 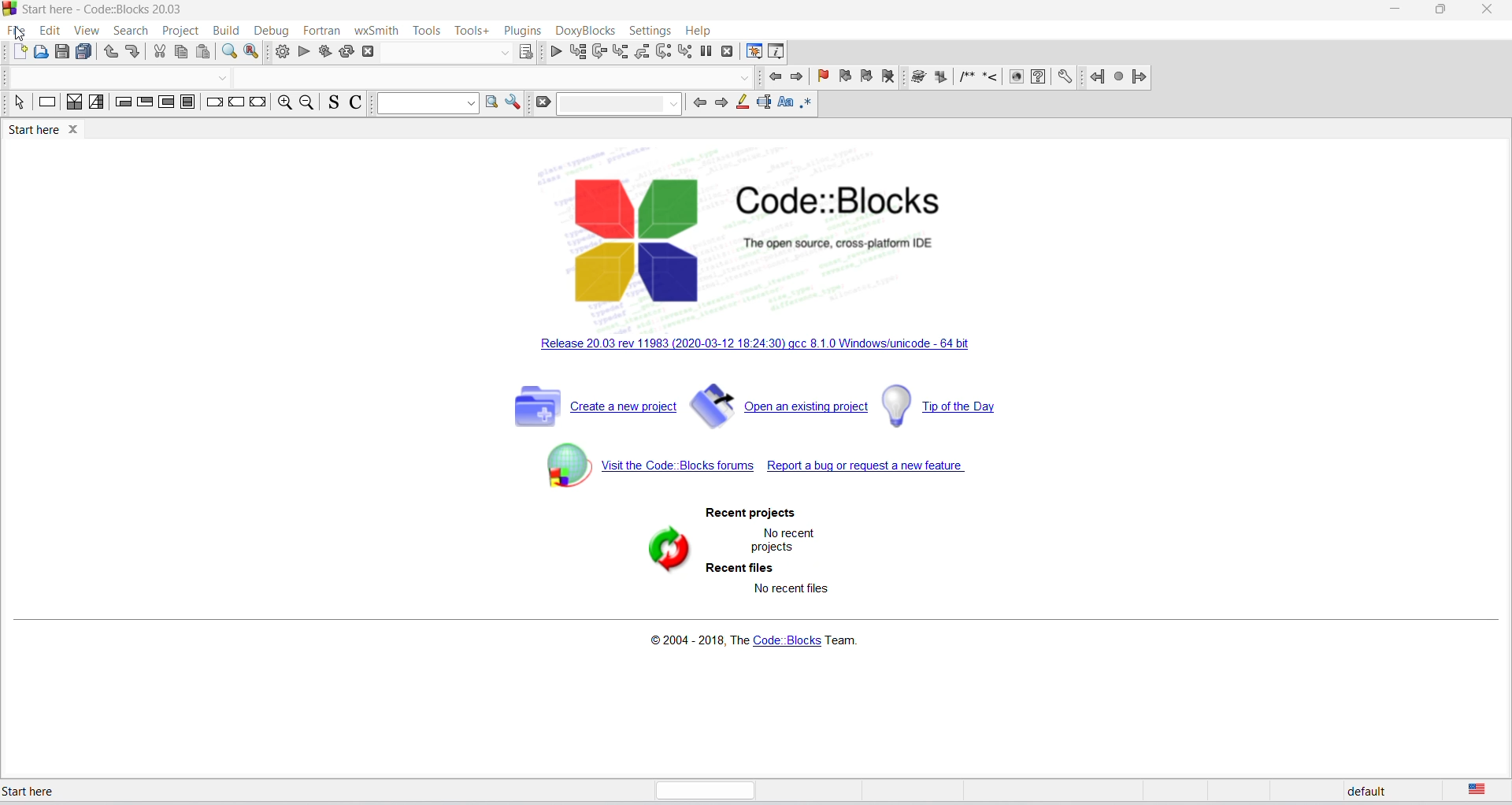 I want to click on tools plus, so click(x=469, y=31).